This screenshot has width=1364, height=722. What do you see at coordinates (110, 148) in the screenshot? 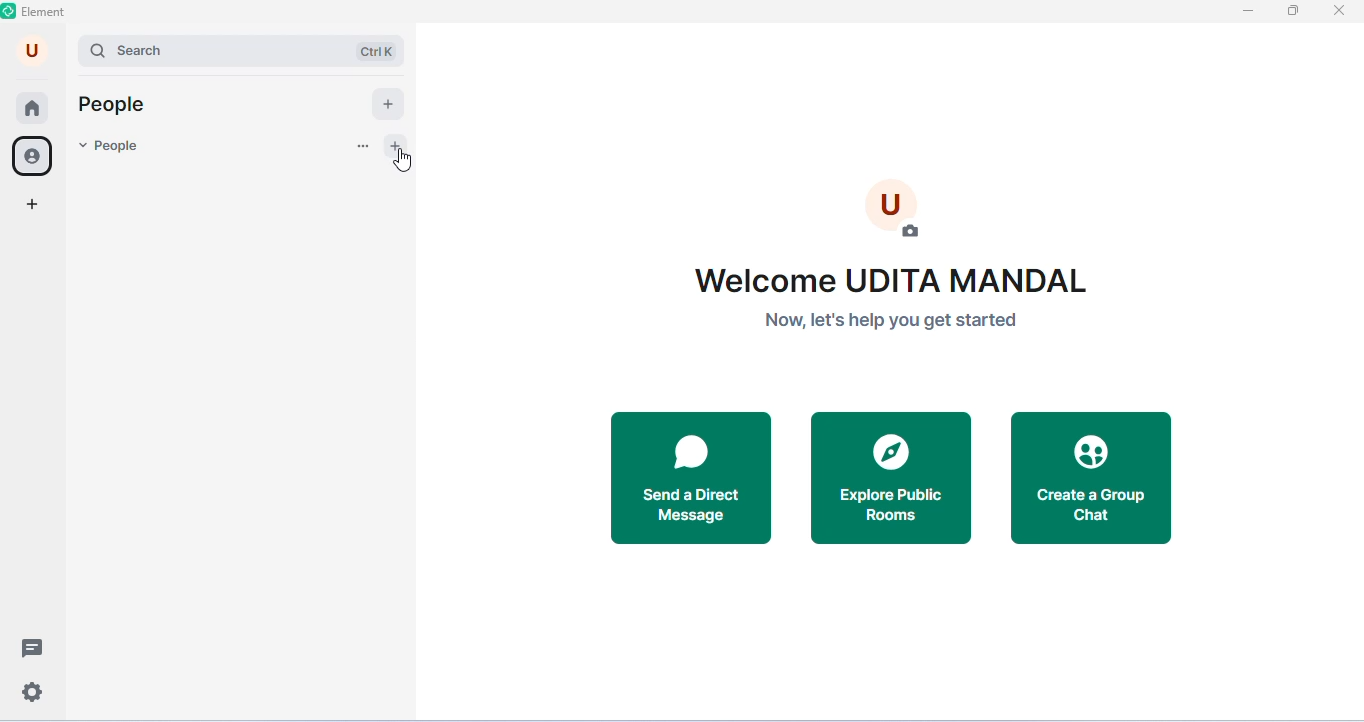
I see `people` at bounding box center [110, 148].